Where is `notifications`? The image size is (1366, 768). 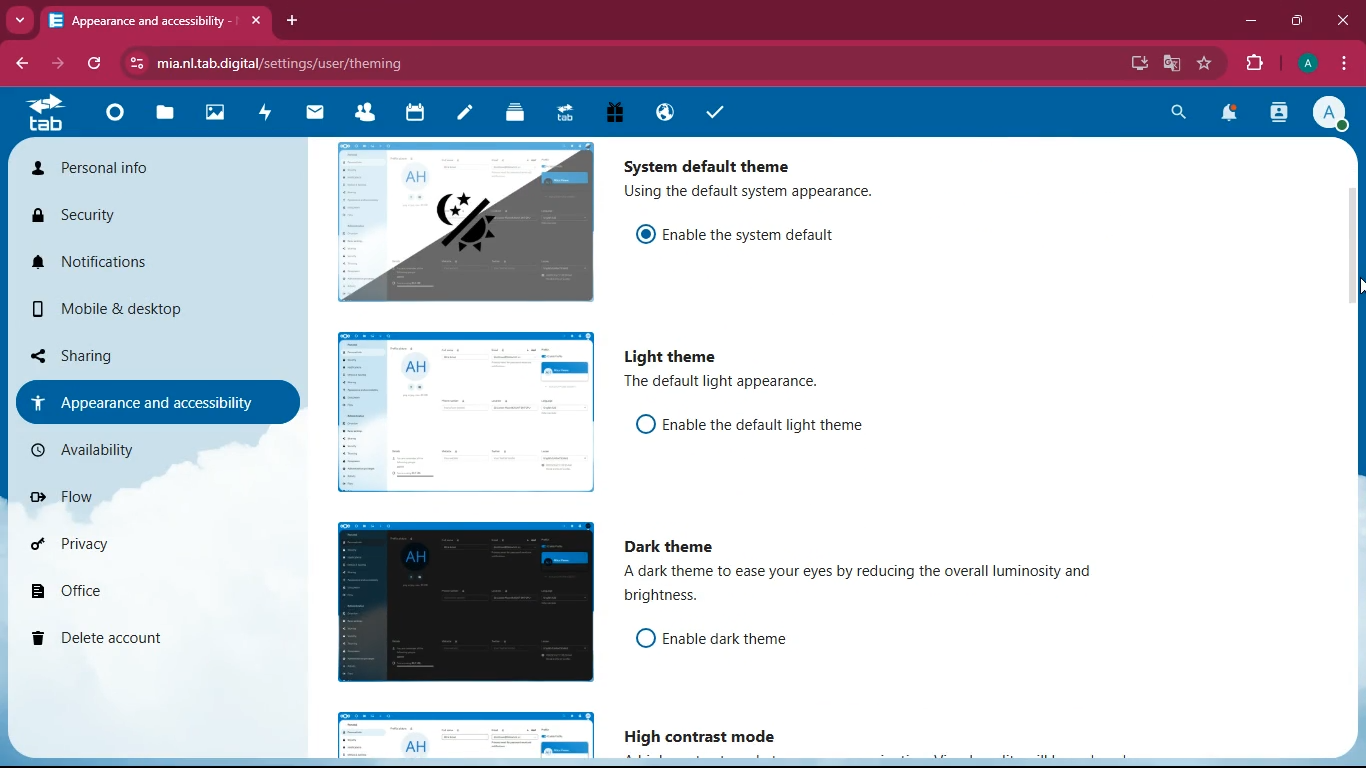 notifications is located at coordinates (126, 270).